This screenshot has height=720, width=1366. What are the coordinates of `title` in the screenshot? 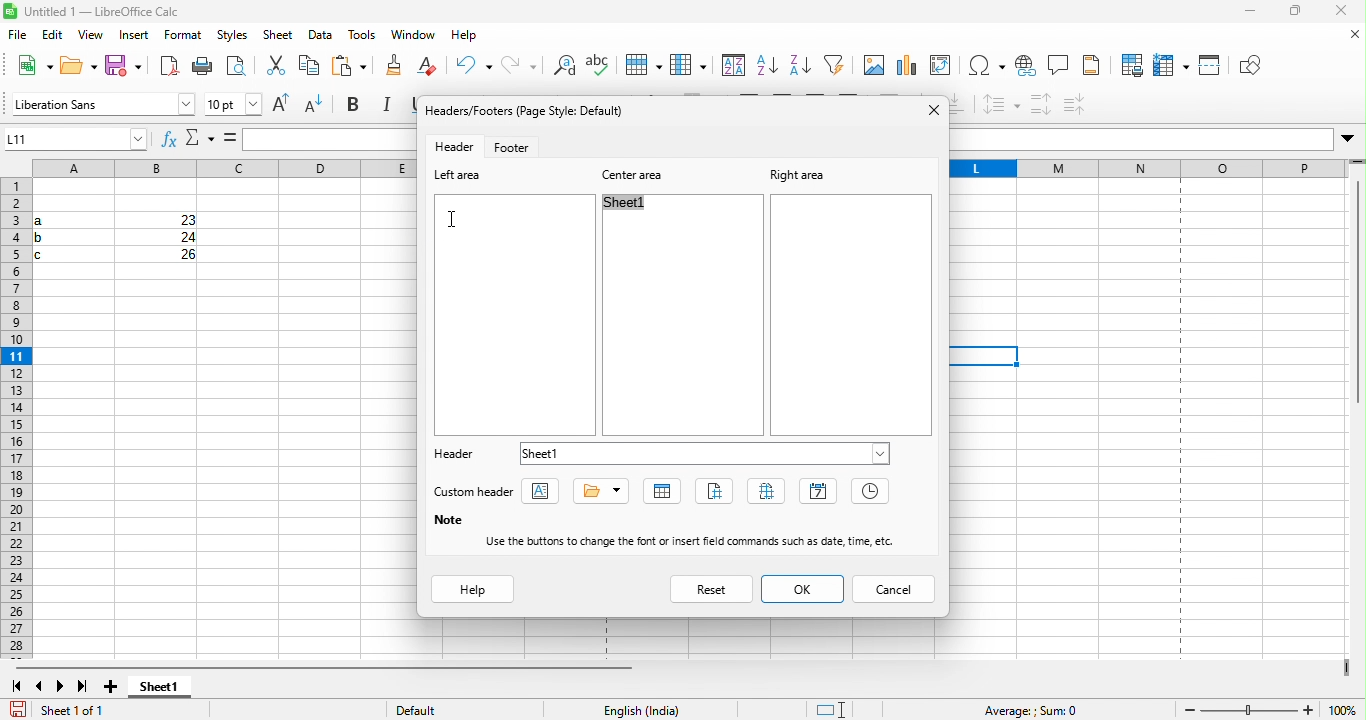 It's located at (598, 490).